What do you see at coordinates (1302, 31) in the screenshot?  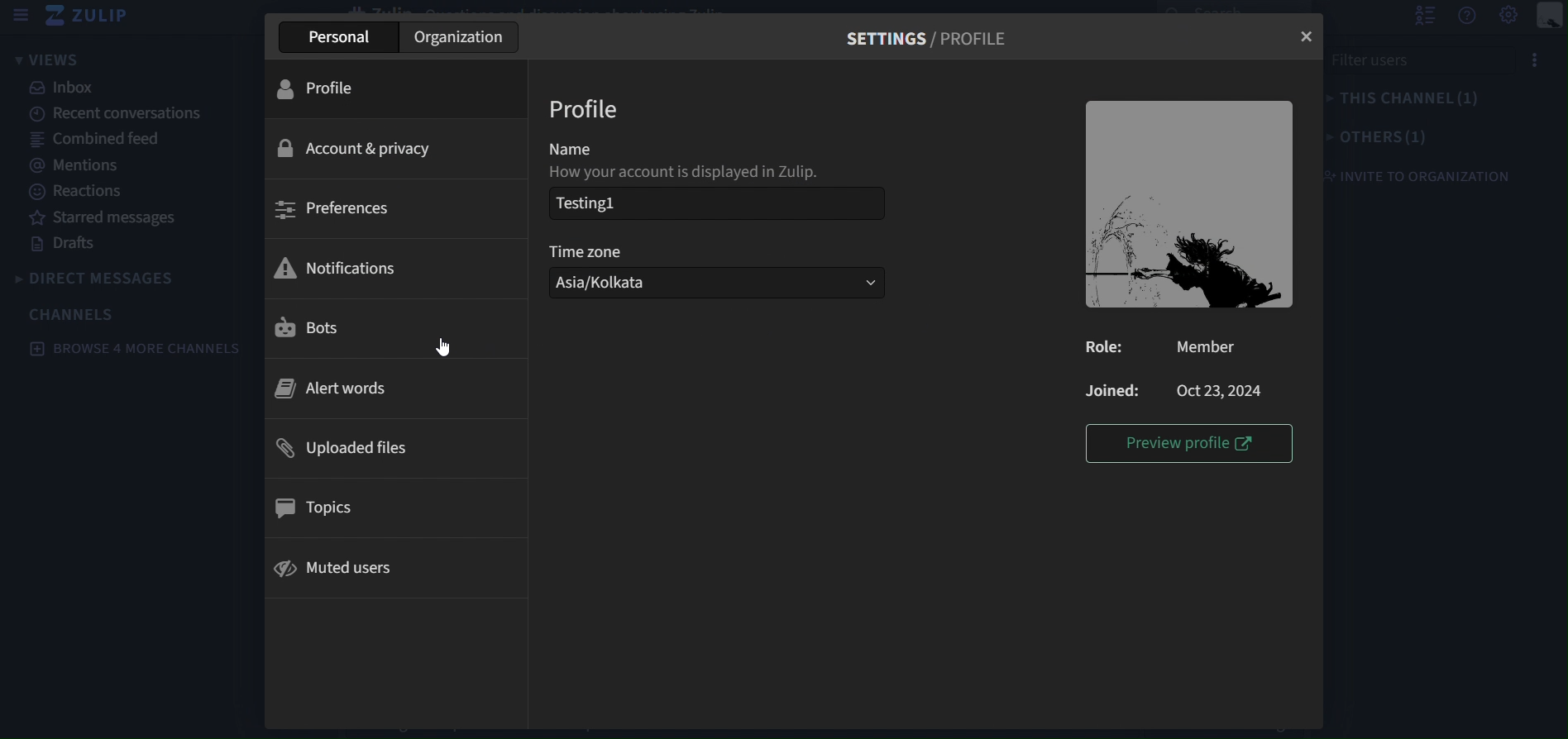 I see `close` at bounding box center [1302, 31].